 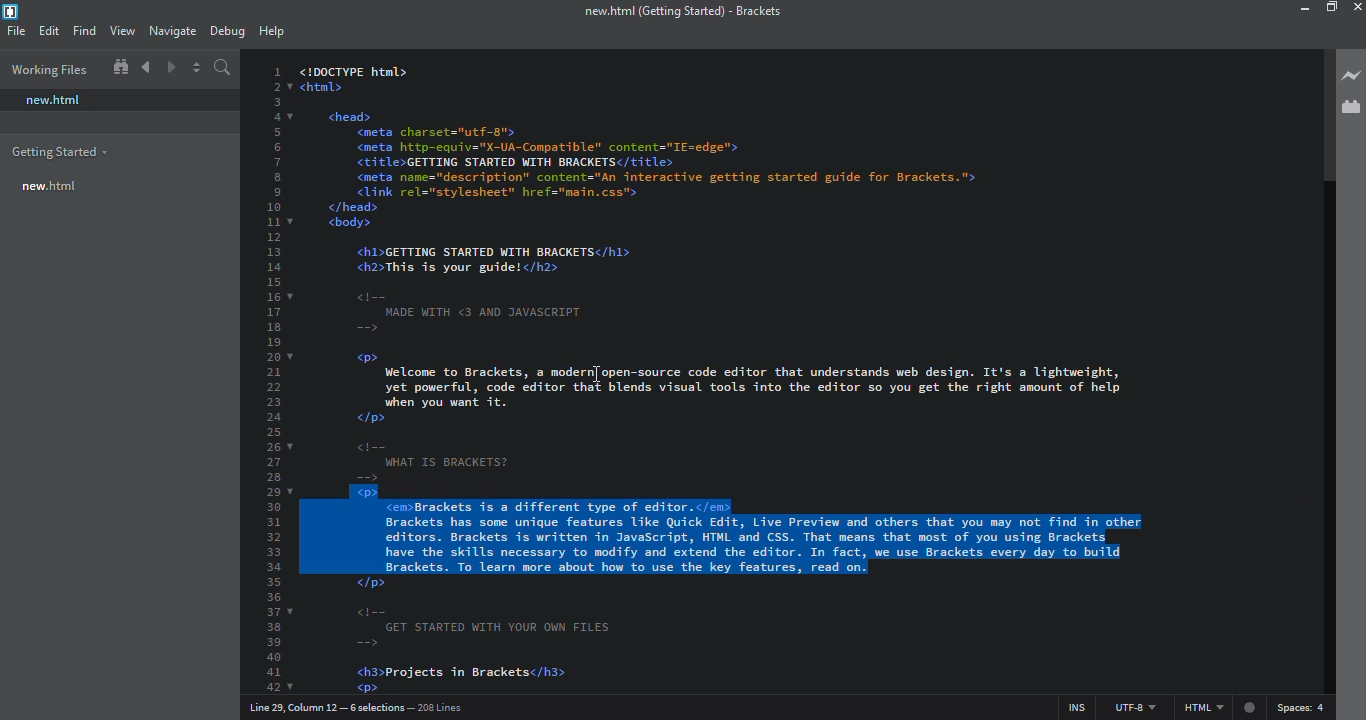 What do you see at coordinates (1214, 706) in the screenshot?
I see `html` at bounding box center [1214, 706].